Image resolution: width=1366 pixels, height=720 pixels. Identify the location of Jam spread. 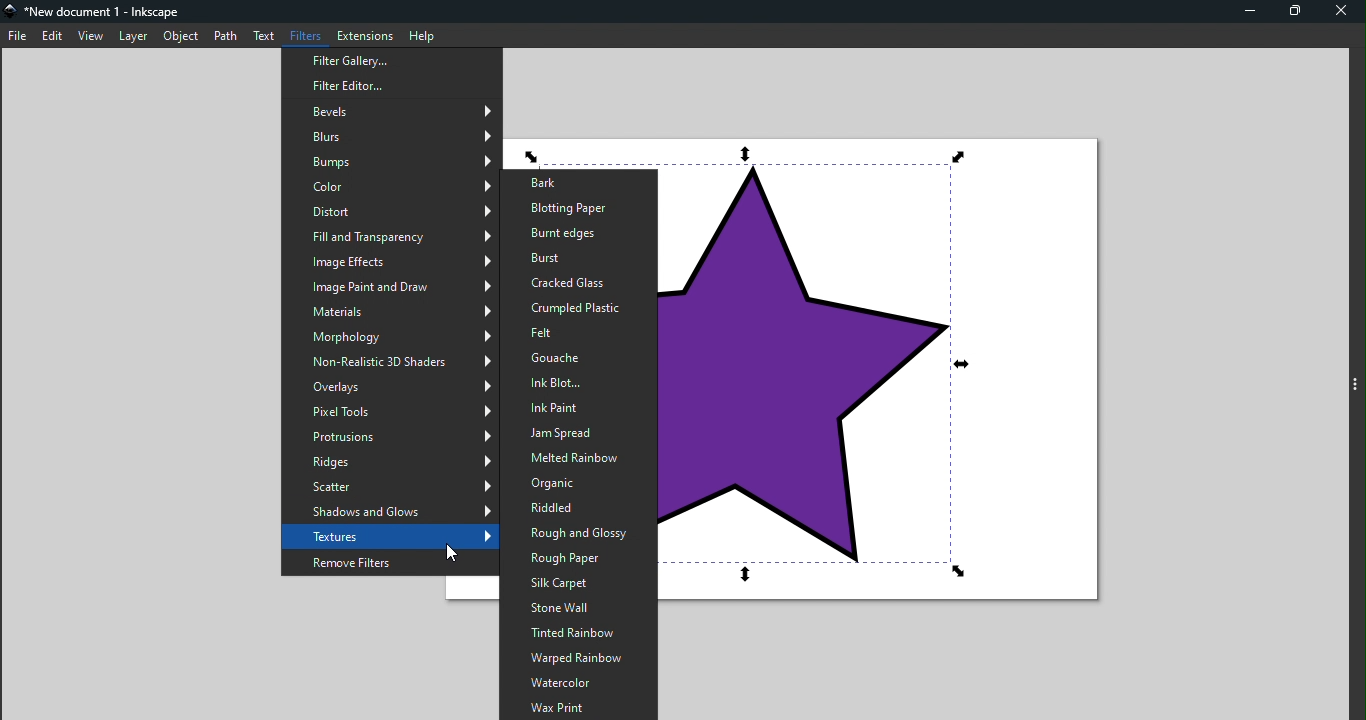
(576, 434).